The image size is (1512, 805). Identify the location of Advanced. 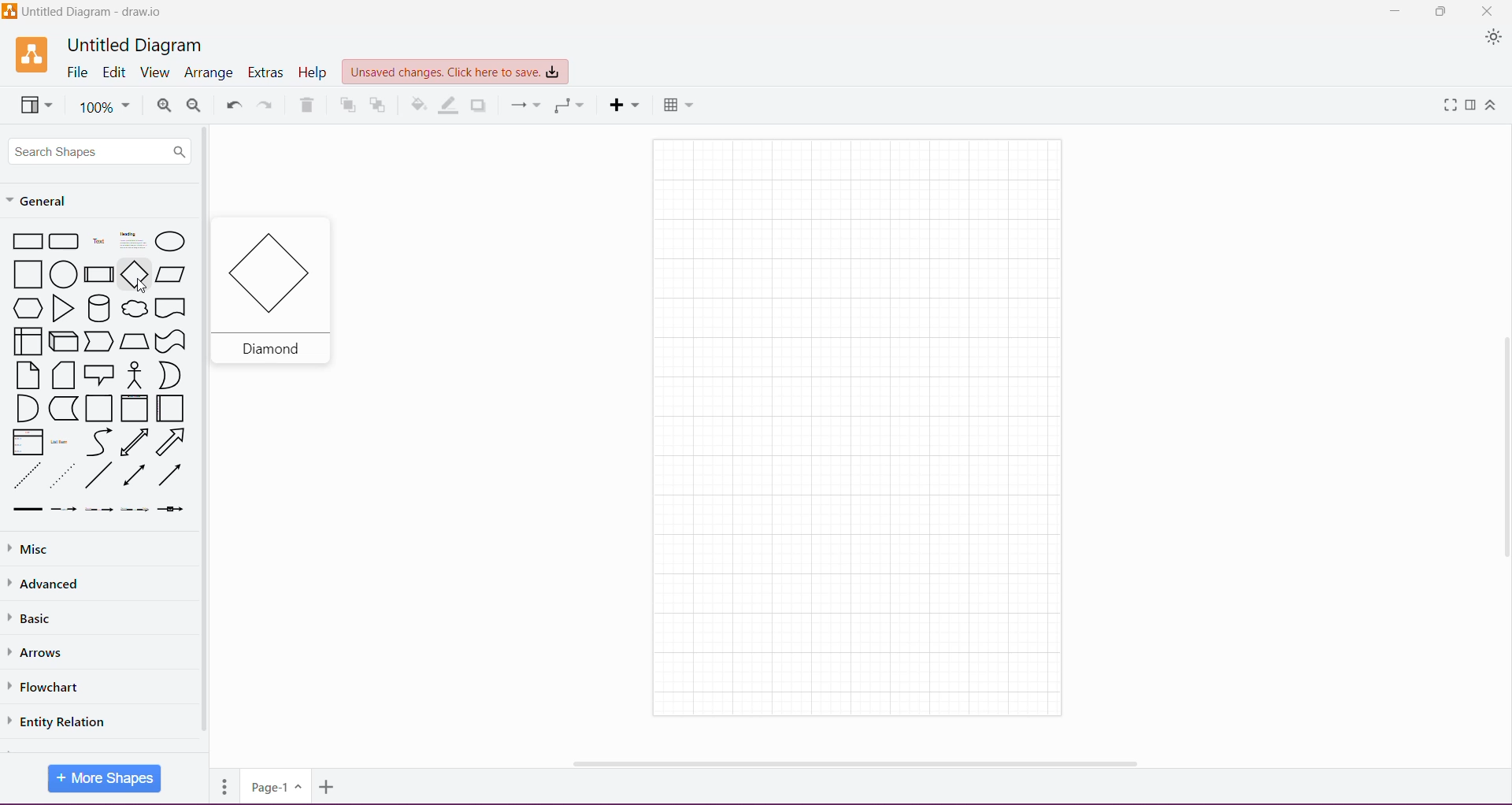
(50, 584).